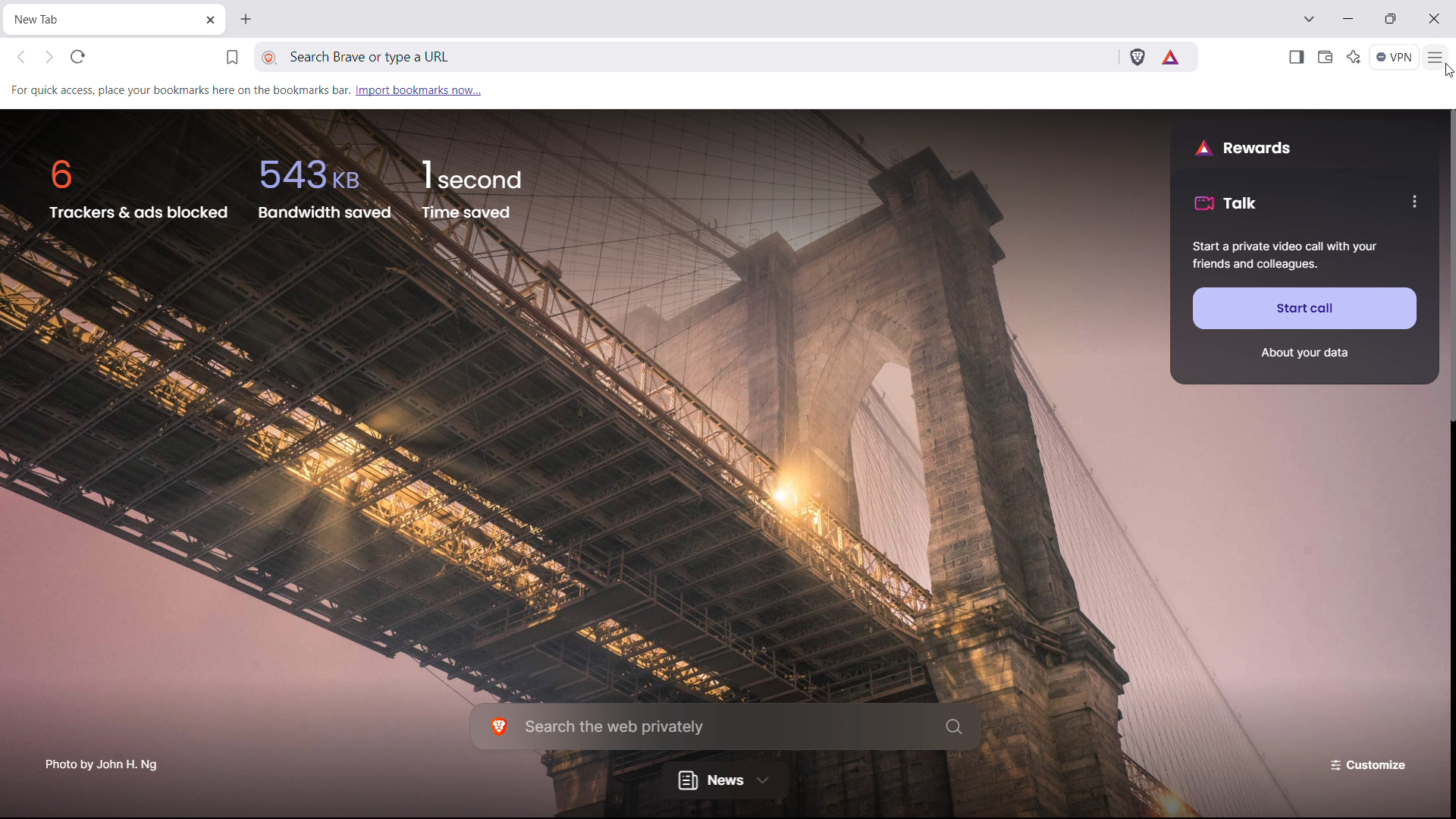 The height and width of the screenshot is (819, 1456). Describe the element at coordinates (1304, 308) in the screenshot. I see `start call` at that location.